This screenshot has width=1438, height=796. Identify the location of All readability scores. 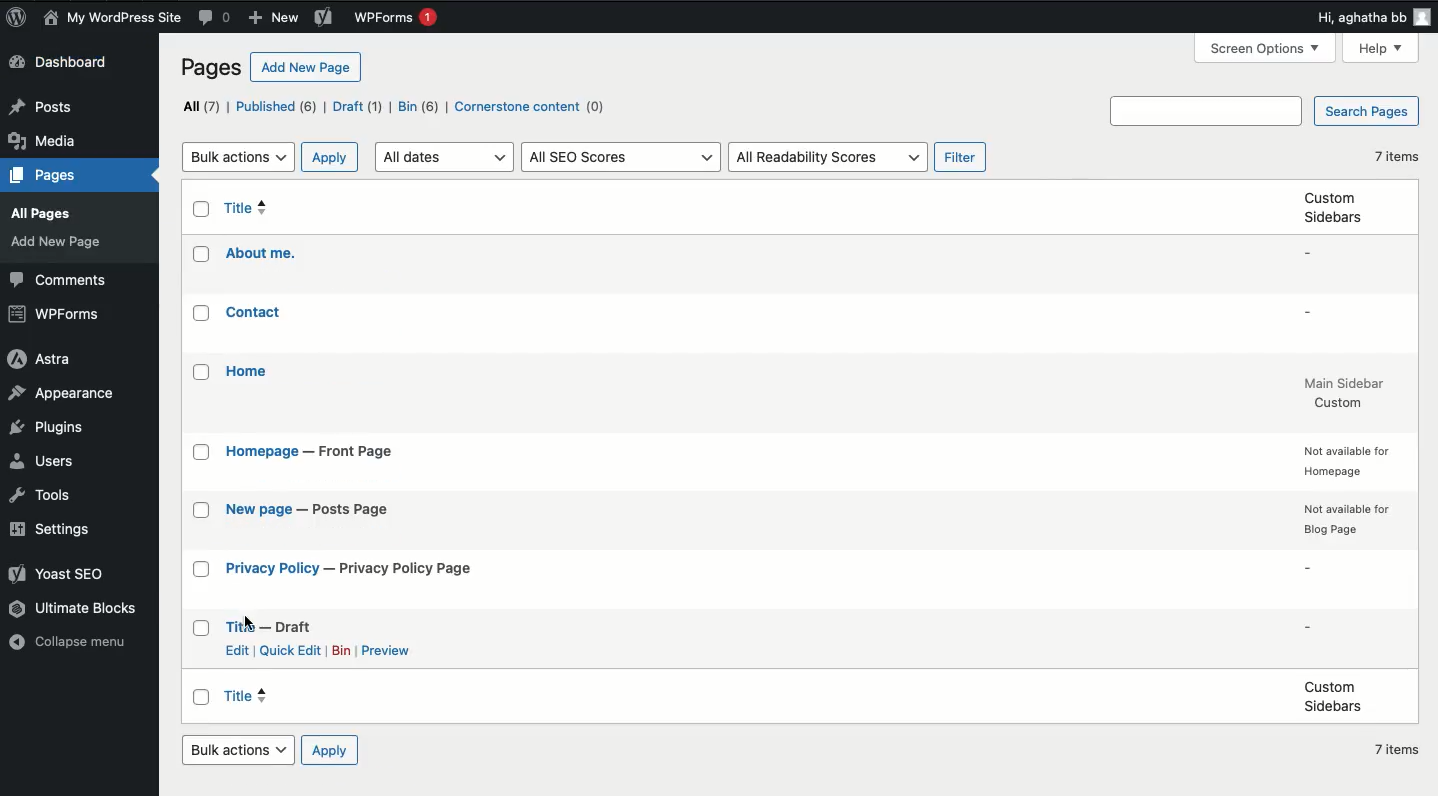
(826, 156).